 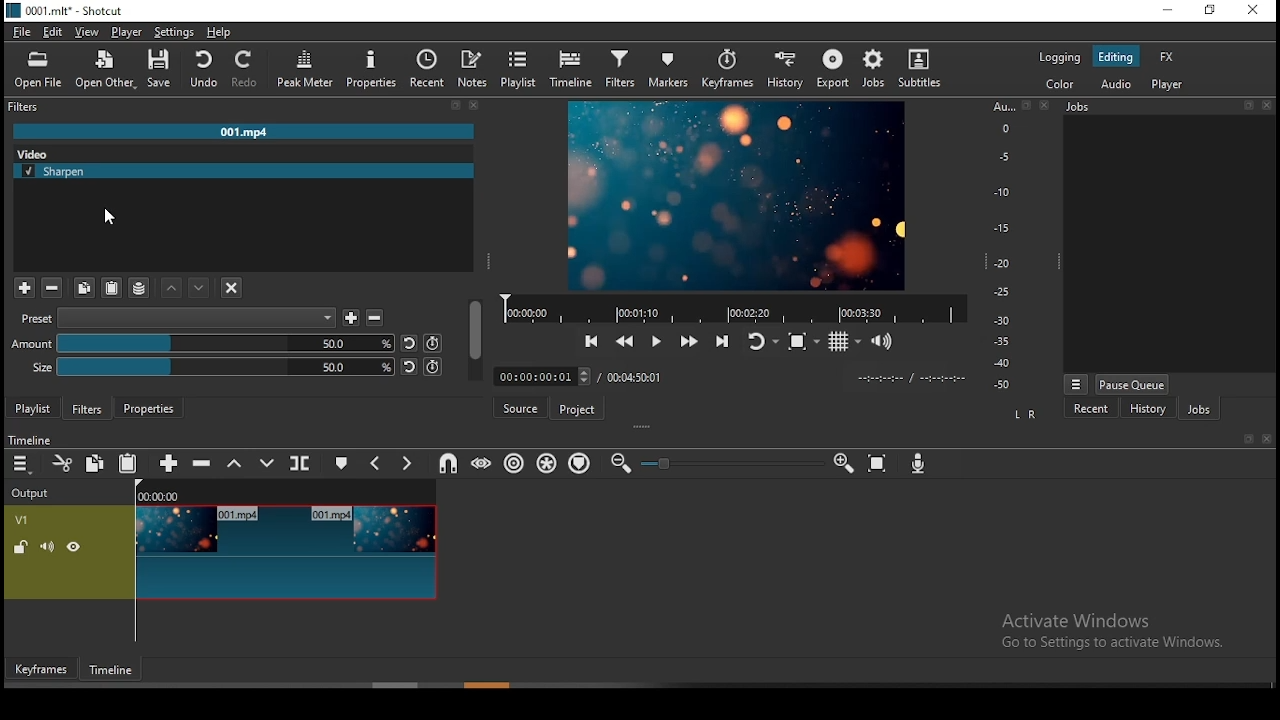 I want to click on book mark, so click(x=1247, y=440).